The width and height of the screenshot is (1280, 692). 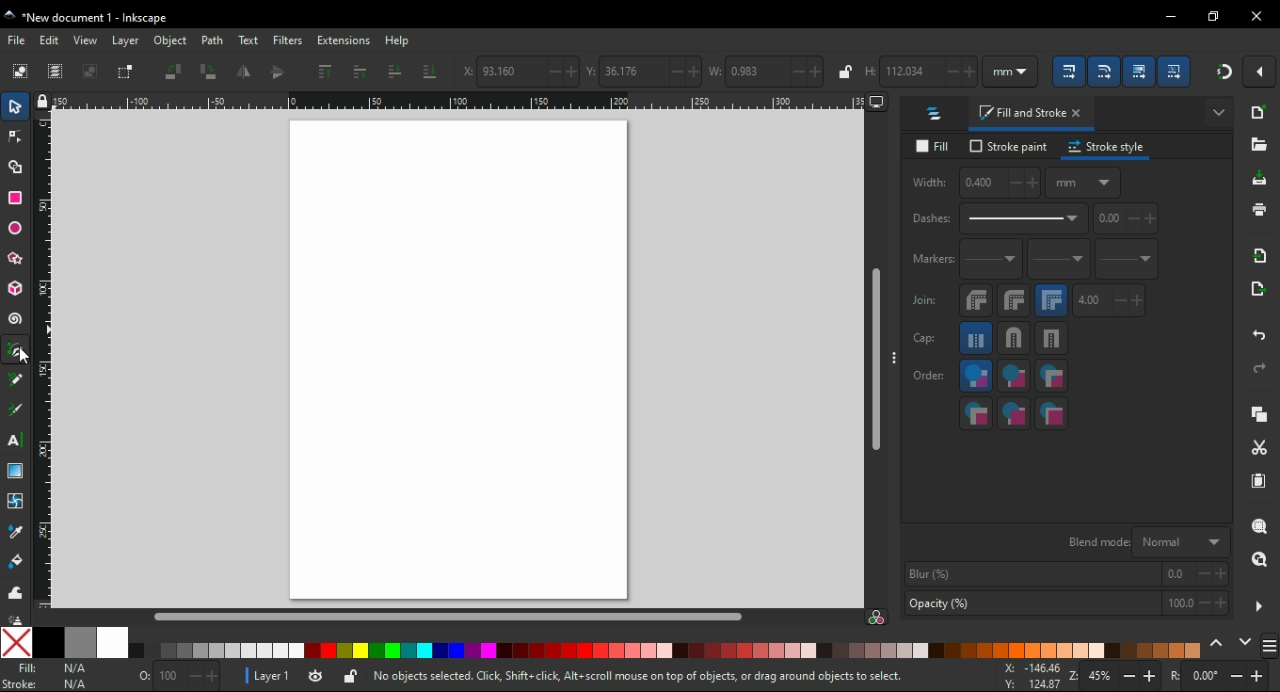 I want to click on lower, so click(x=394, y=72).